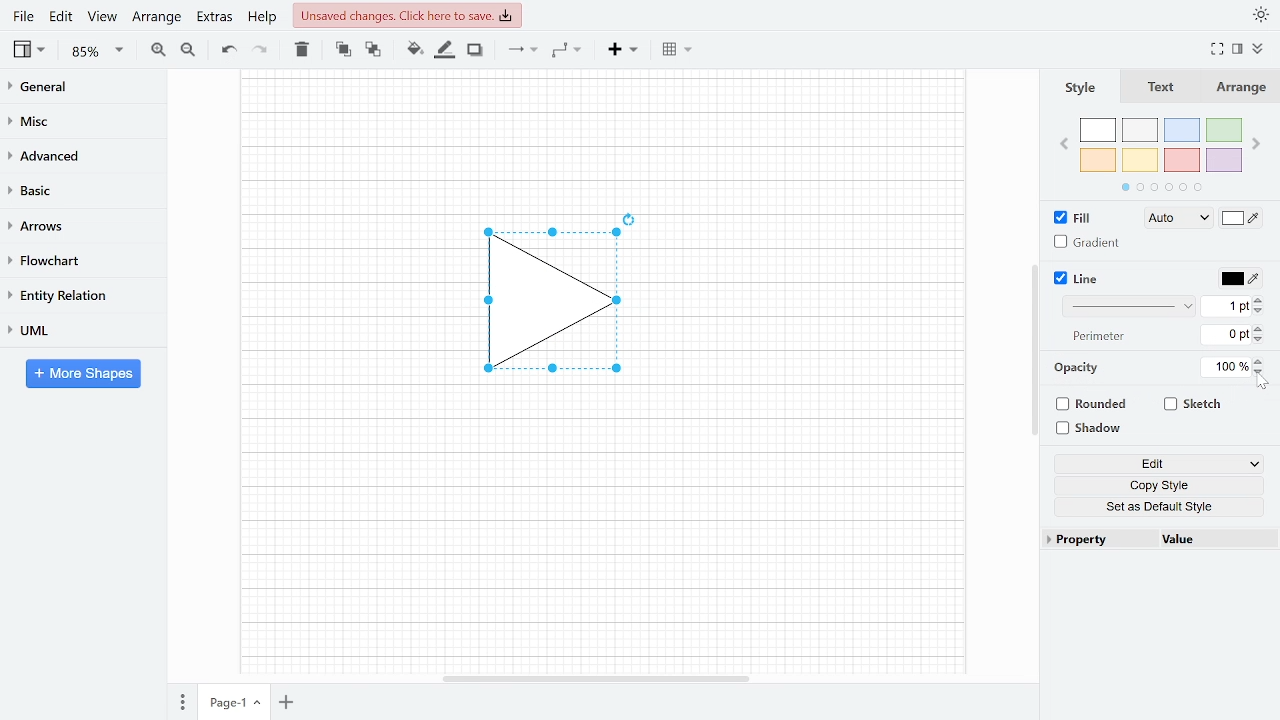 The height and width of the screenshot is (720, 1280). What do you see at coordinates (1261, 372) in the screenshot?
I see `Decrease opacity` at bounding box center [1261, 372].